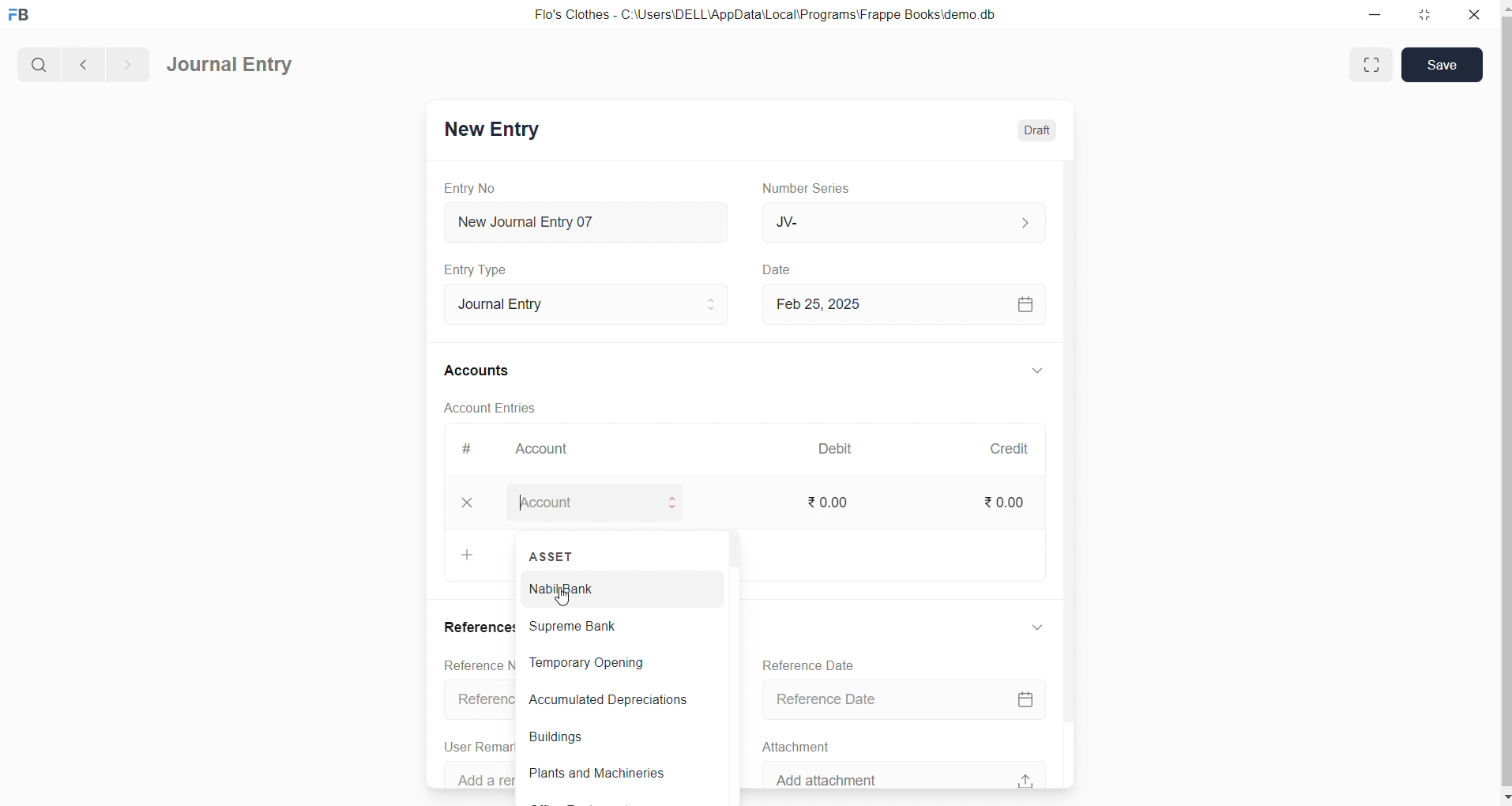 This screenshot has width=1512, height=806. Describe the element at coordinates (917, 698) in the screenshot. I see `Reference Date` at that location.